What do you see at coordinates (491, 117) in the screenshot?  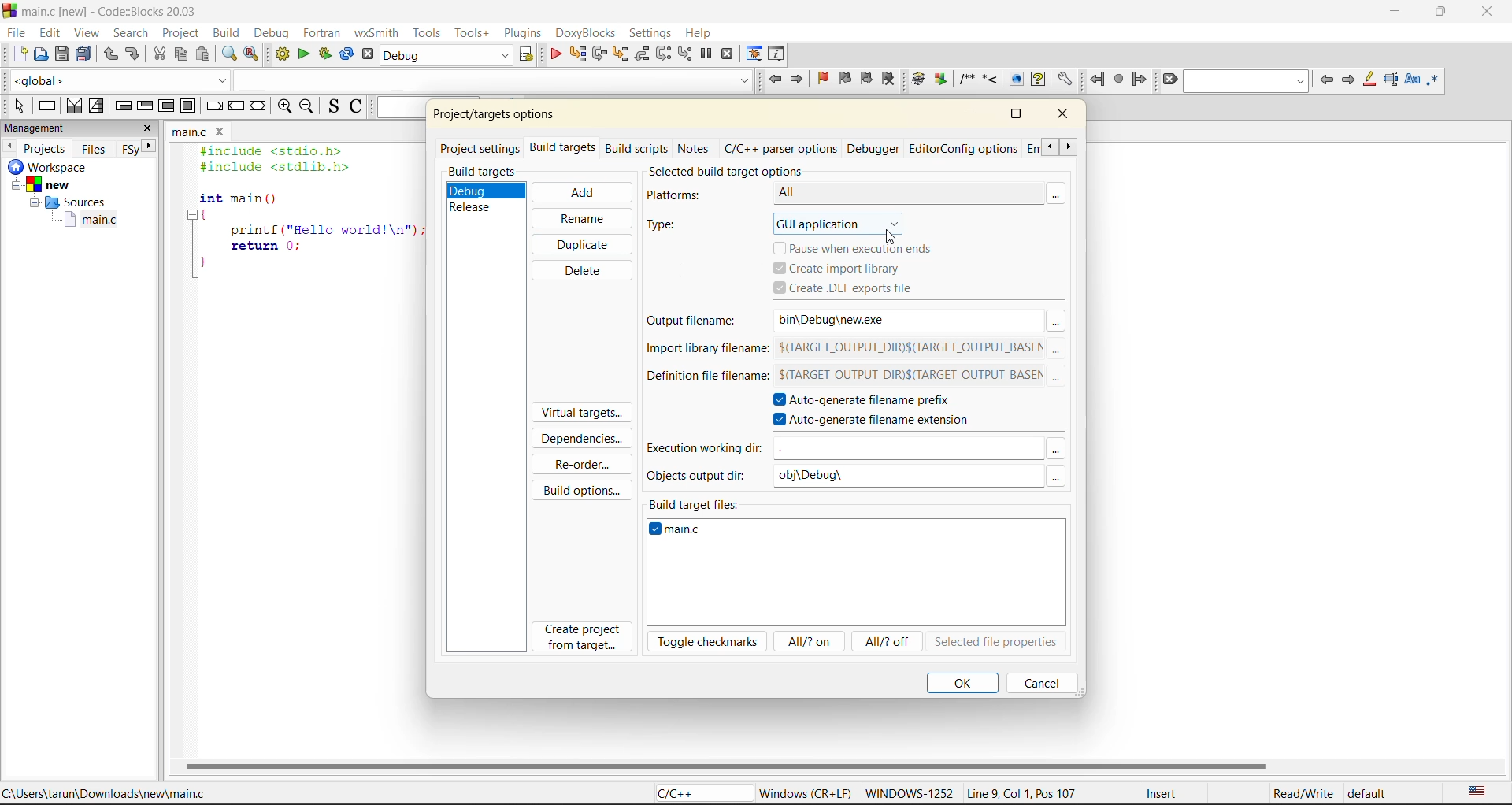 I see `project properties/options` at bounding box center [491, 117].